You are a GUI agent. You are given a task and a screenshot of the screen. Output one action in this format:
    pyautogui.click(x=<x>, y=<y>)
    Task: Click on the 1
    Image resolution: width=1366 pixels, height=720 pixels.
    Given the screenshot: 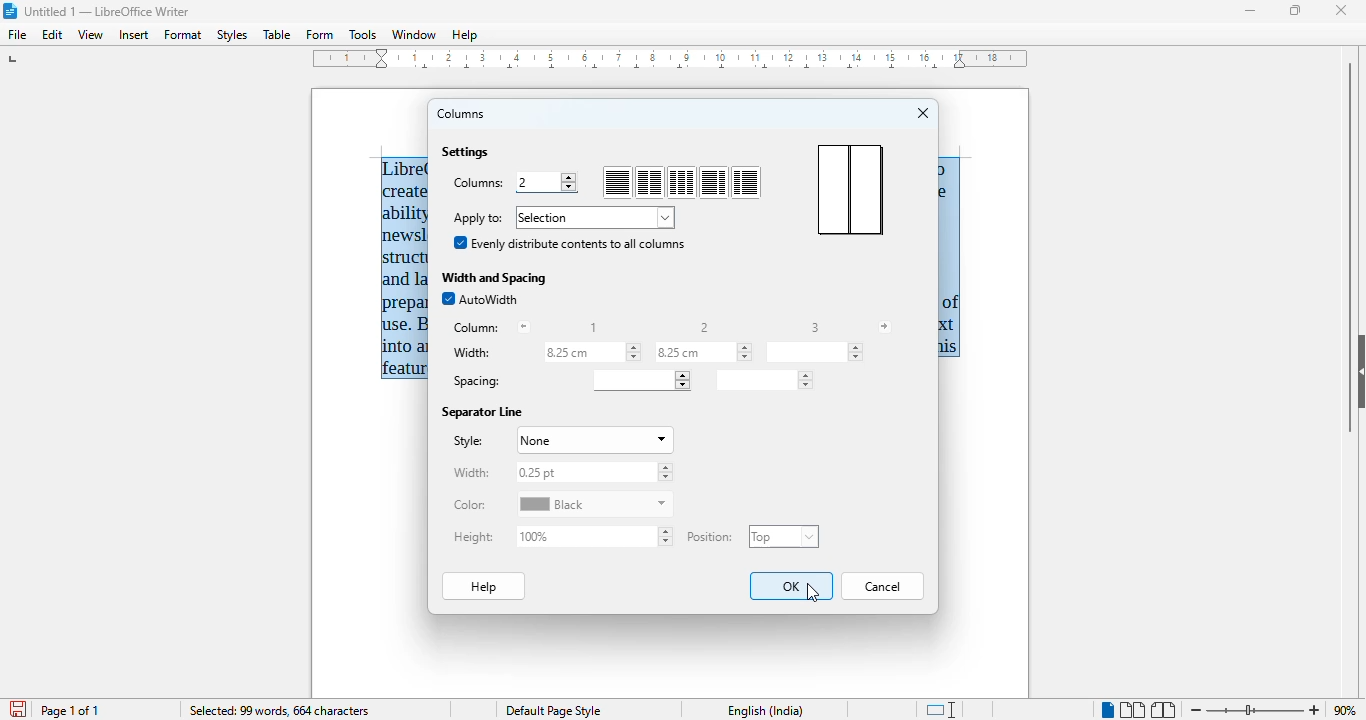 What is the action you would take?
    pyautogui.click(x=594, y=328)
    